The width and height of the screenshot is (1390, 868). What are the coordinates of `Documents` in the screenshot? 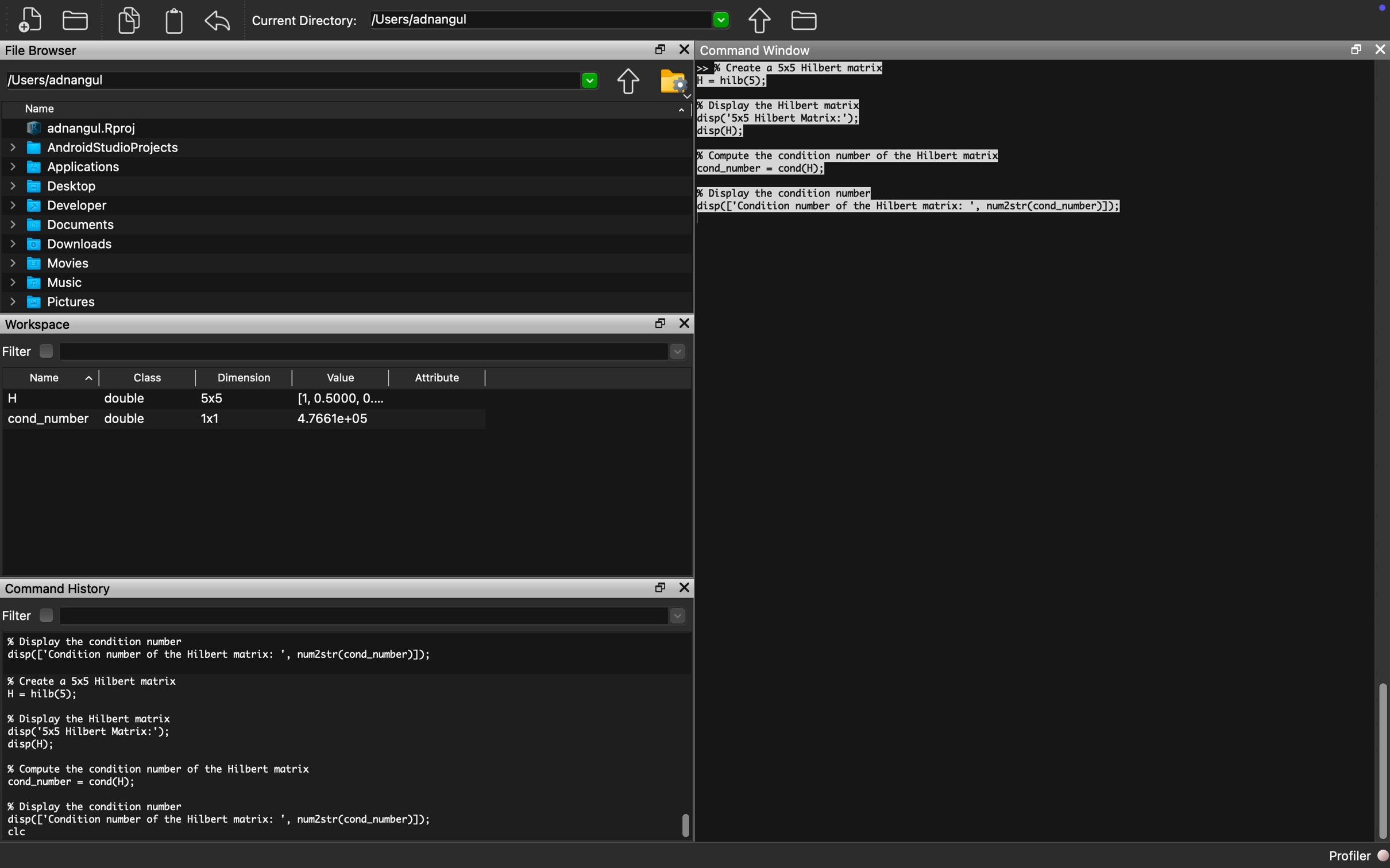 It's located at (63, 225).